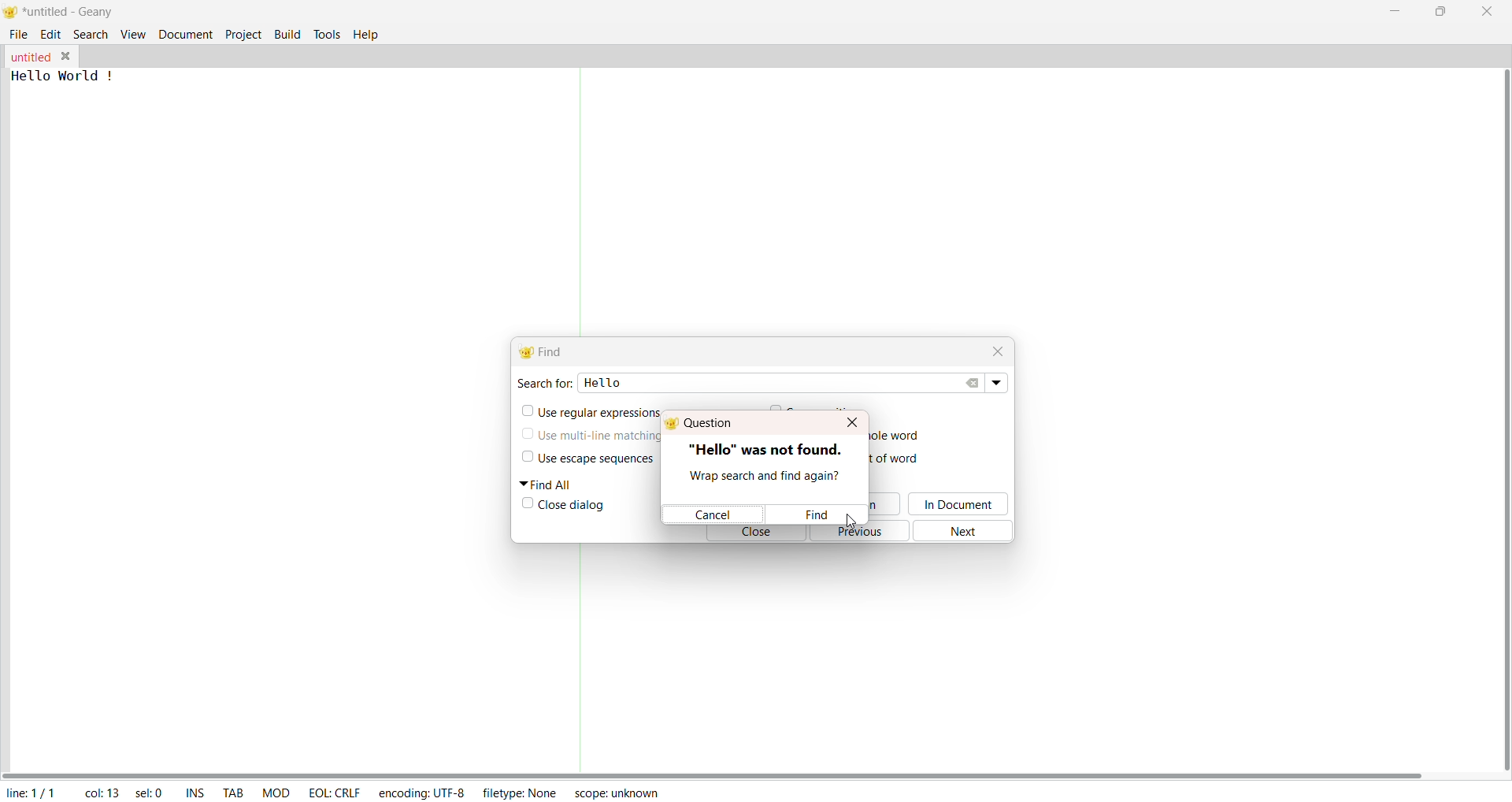 The image size is (1512, 802). Describe the element at coordinates (327, 33) in the screenshot. I see `Tools` at that location.